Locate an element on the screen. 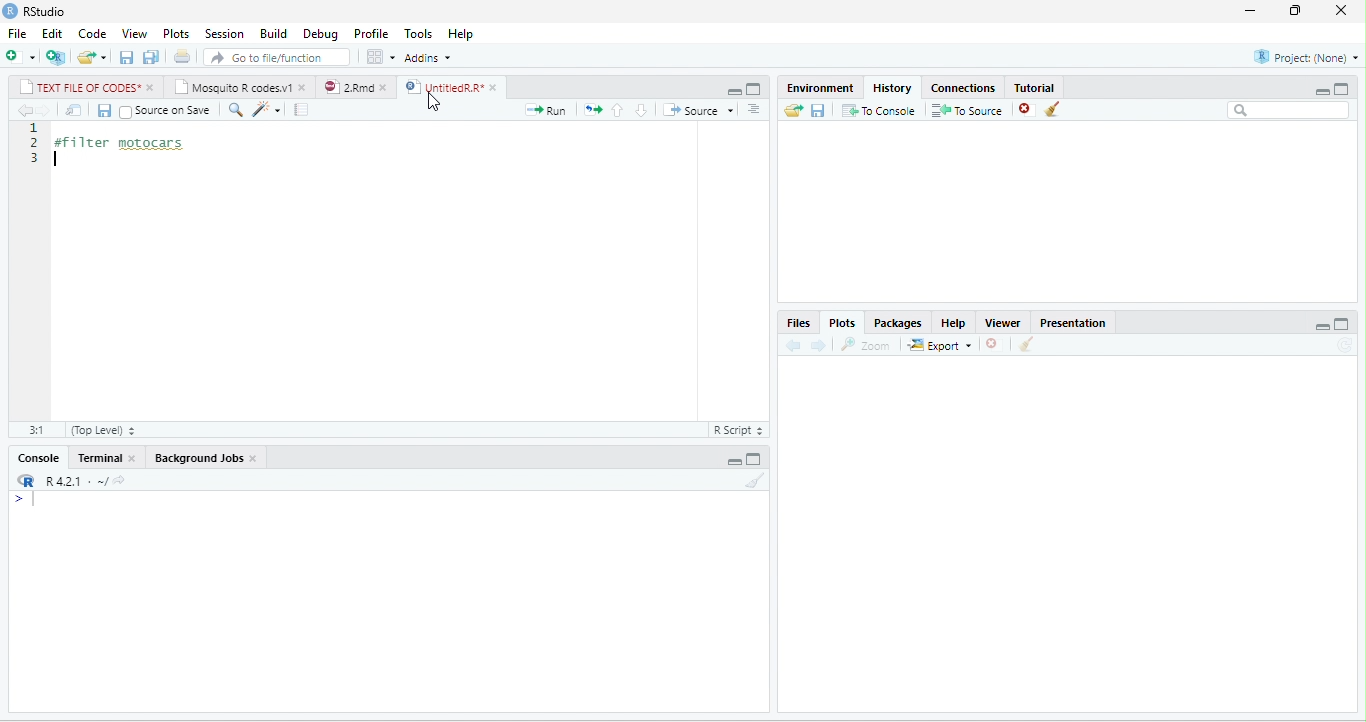  R script is located at coordinates (738, 430).